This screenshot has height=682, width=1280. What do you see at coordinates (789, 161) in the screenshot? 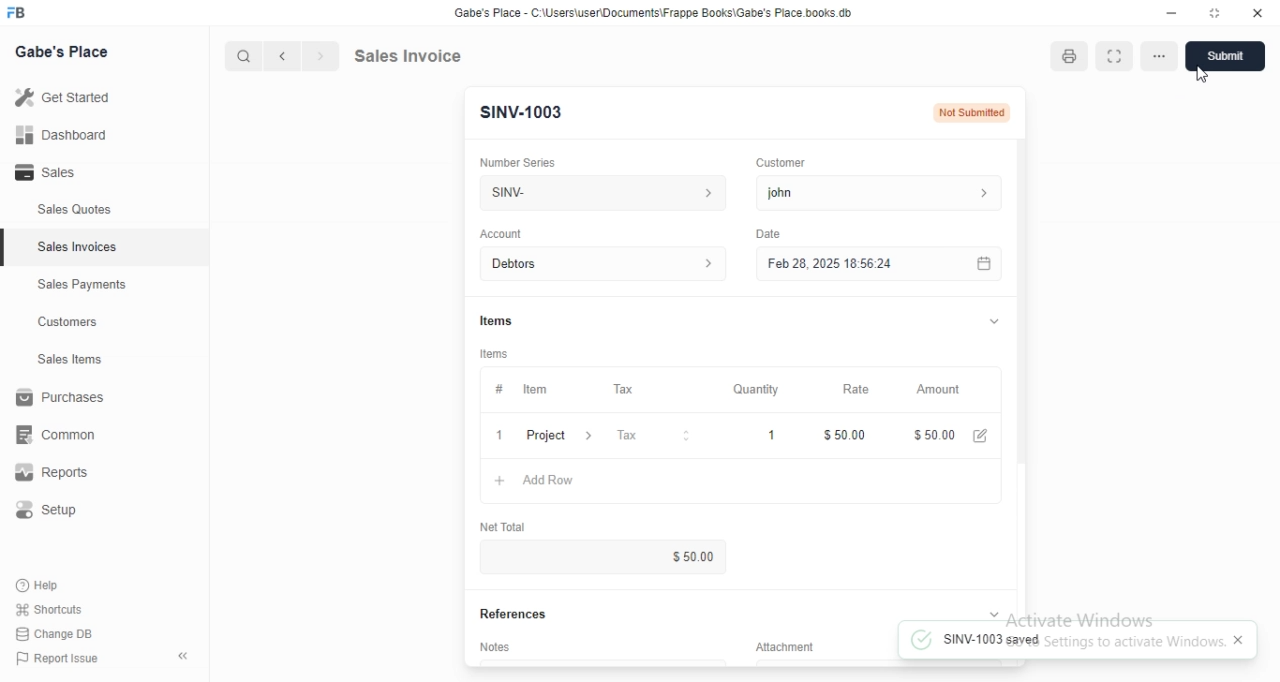
I see `Customer` at bounding box center [789, 161].